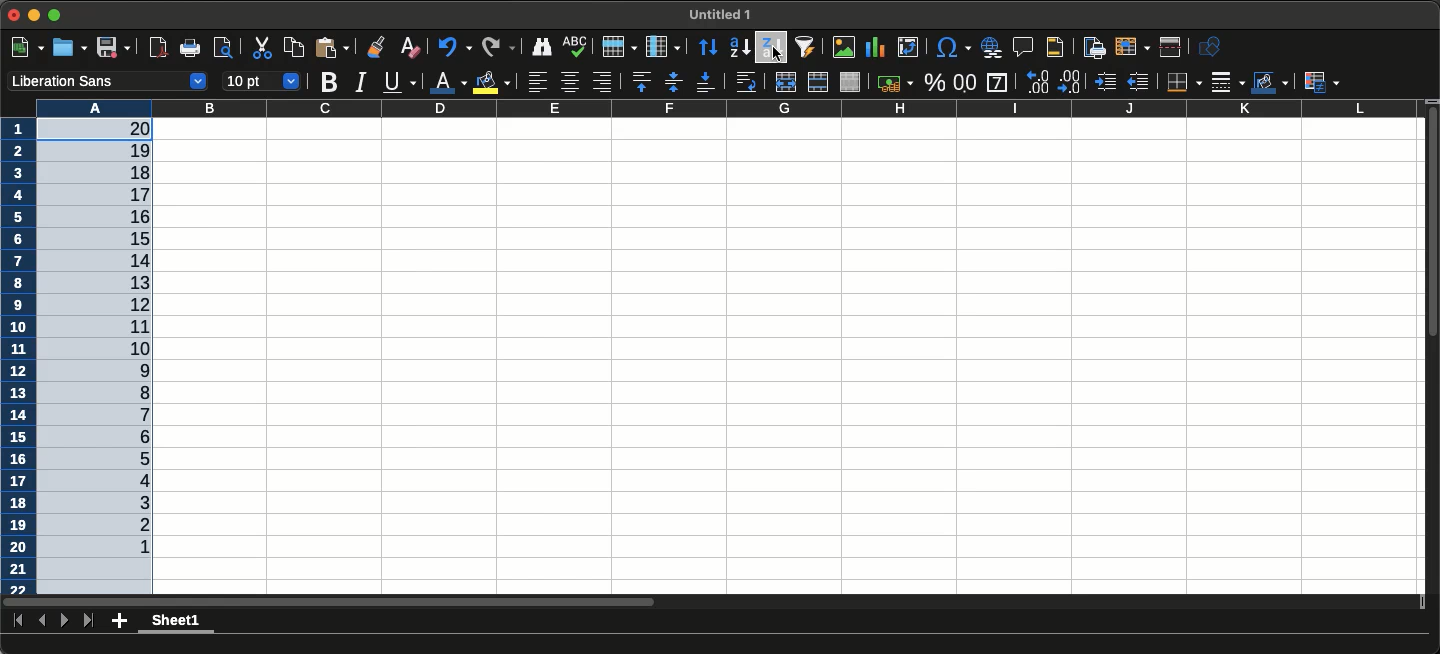 The image size is (1440, 654). Describe the element at coordinates (768, 48) in the screenshot. I see `Sort descending` at that location.